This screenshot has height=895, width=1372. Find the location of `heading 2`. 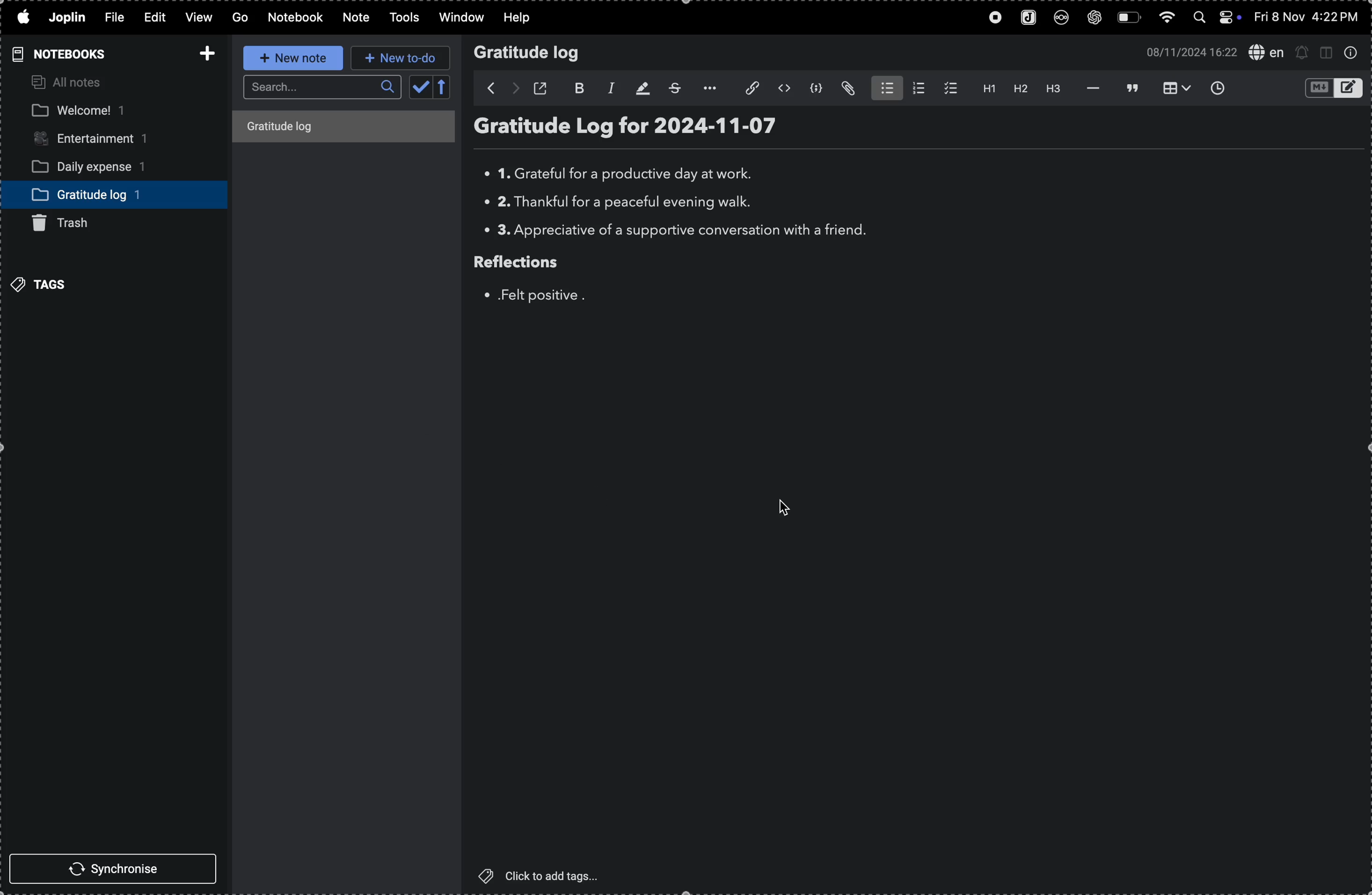

heading 2 is located at coordinates (1019, 89).